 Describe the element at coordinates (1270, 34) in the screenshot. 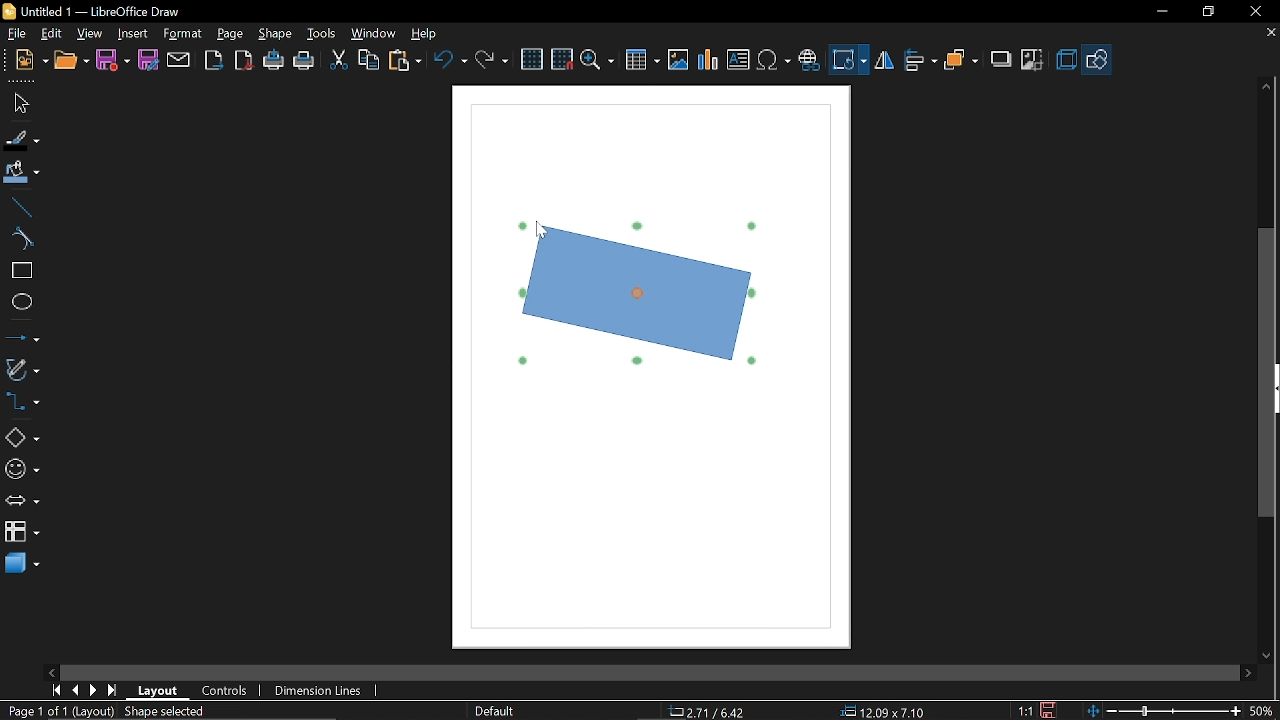

I see `close tab` at that location.